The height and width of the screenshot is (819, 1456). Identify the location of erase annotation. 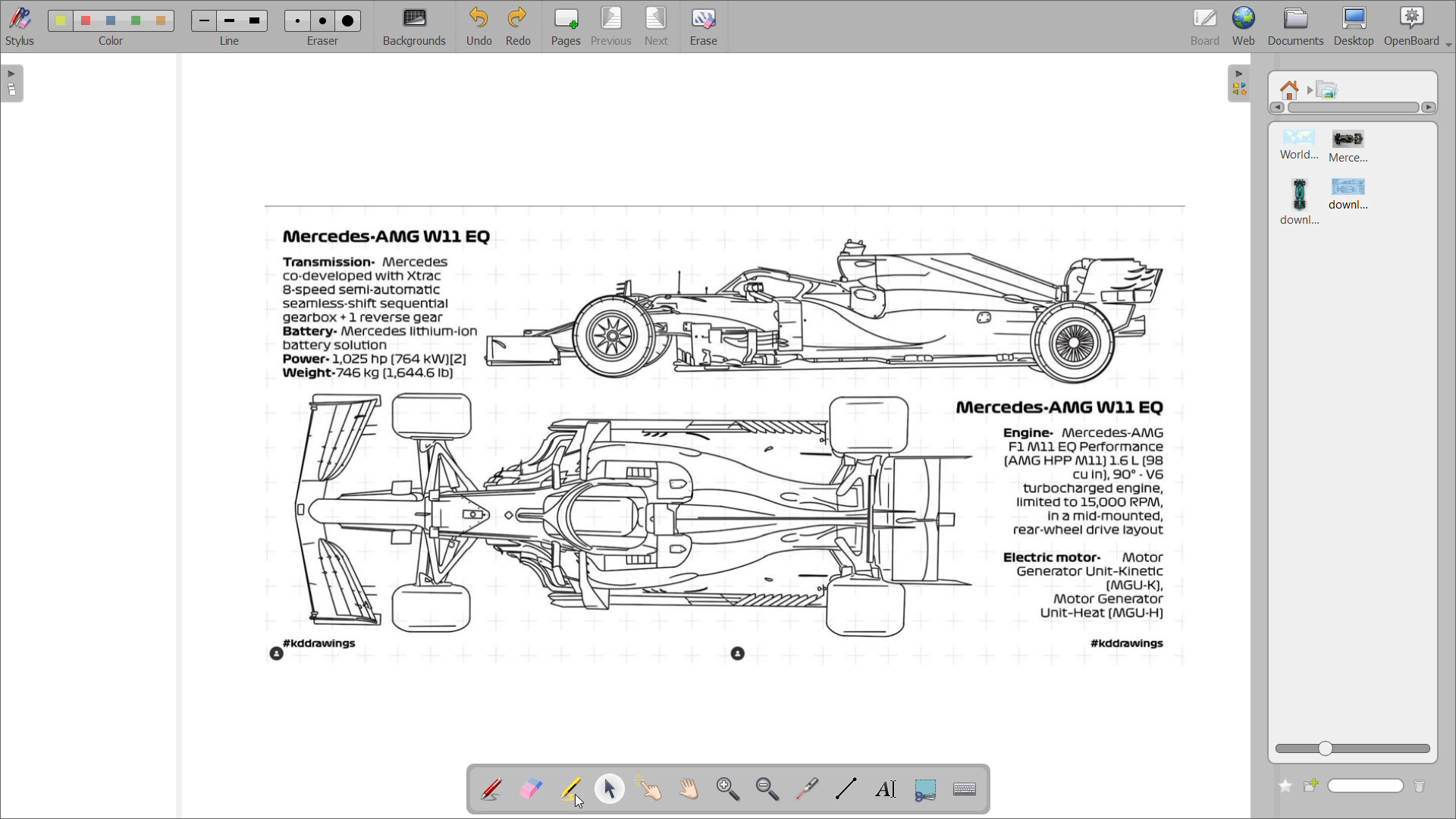
(533, 789).